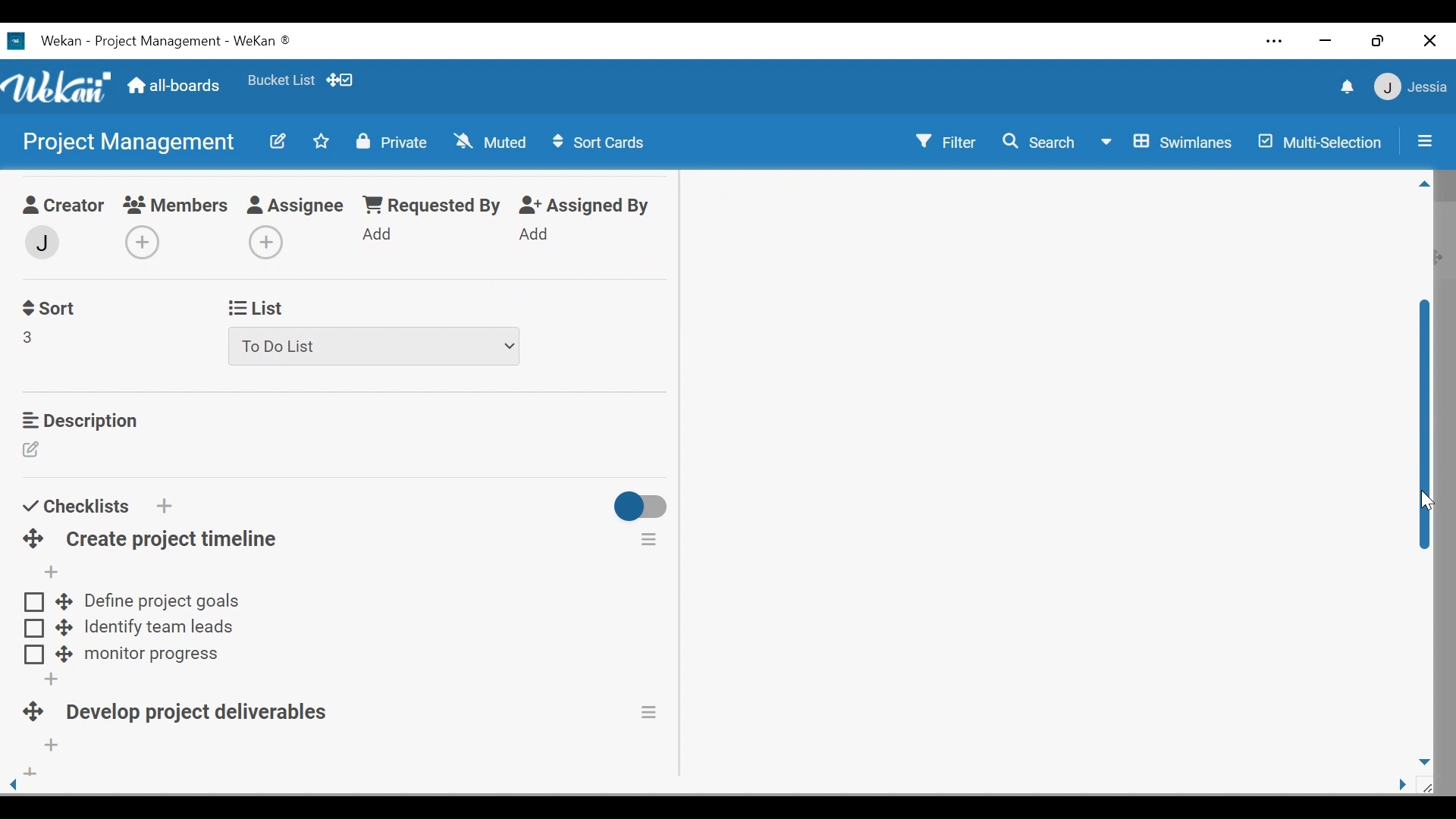 The height and width of the screenshot is (819, 1456). What do you see at coordinates (378, 233) in the screenshot?
I see `Add Requested by` at bounding box center [378, 233].